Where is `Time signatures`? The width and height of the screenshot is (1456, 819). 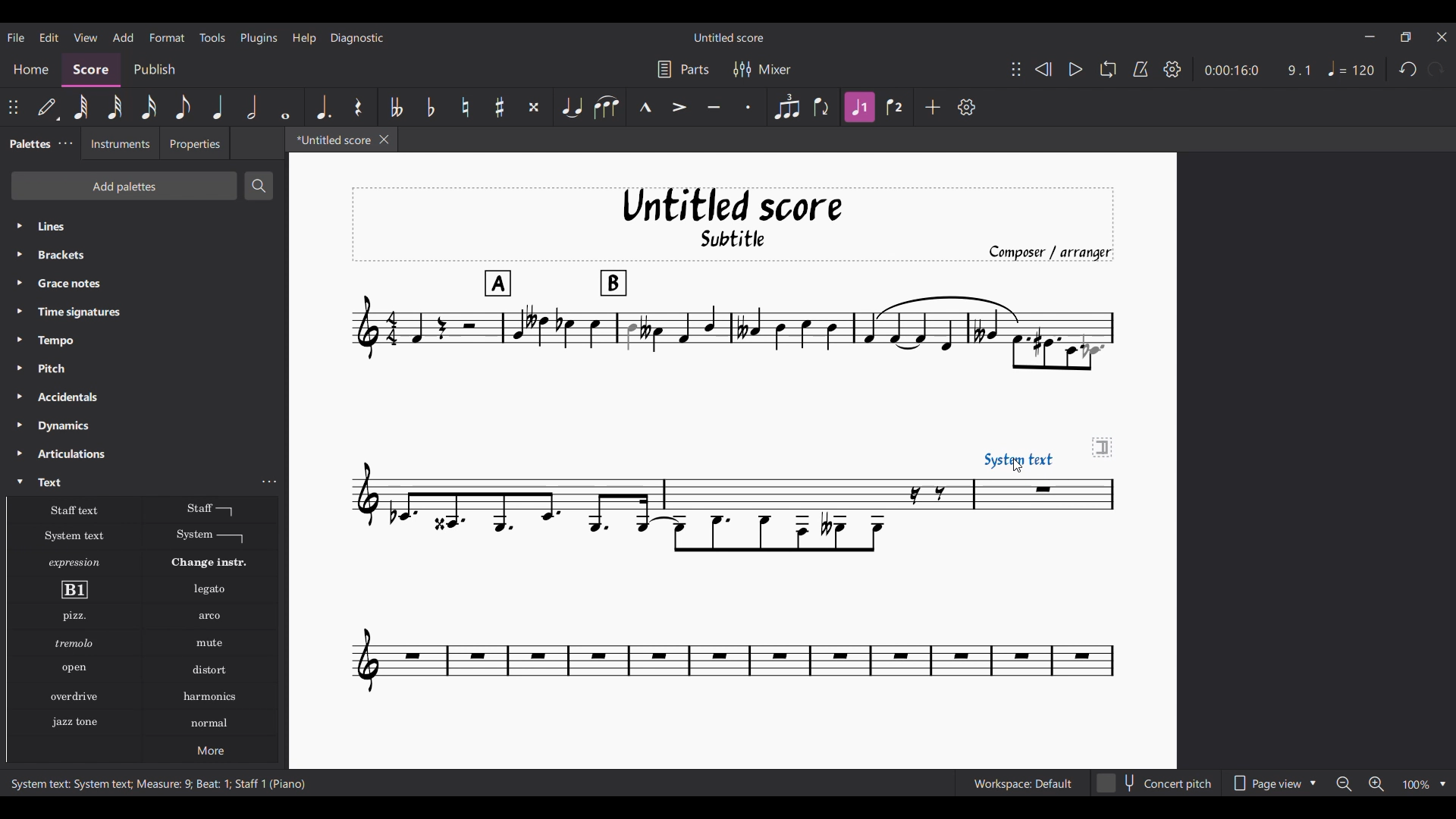 Time signatures is located at coordinates (145, 312).